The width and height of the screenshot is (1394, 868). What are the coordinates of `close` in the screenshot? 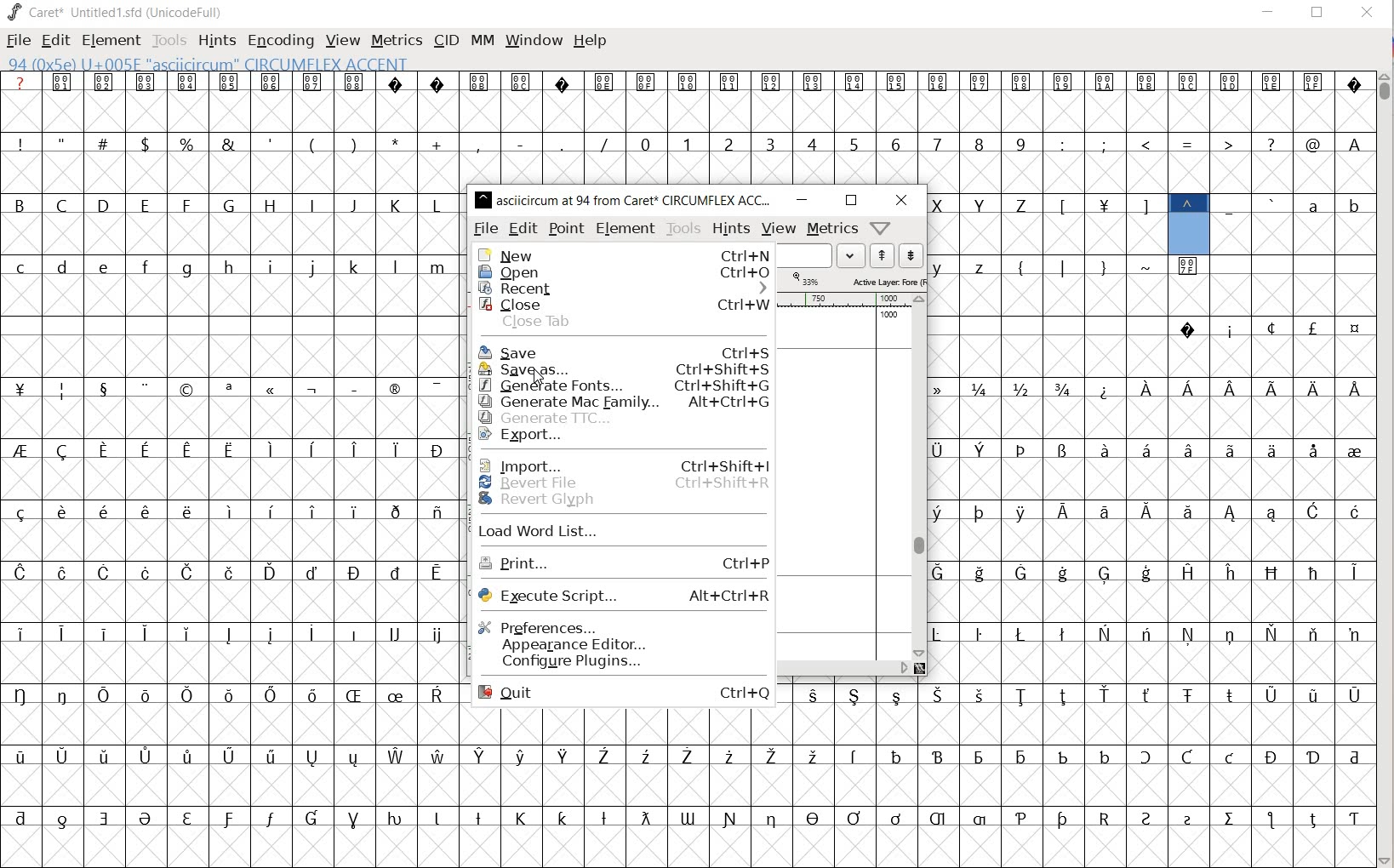 It's located at (901, 200).